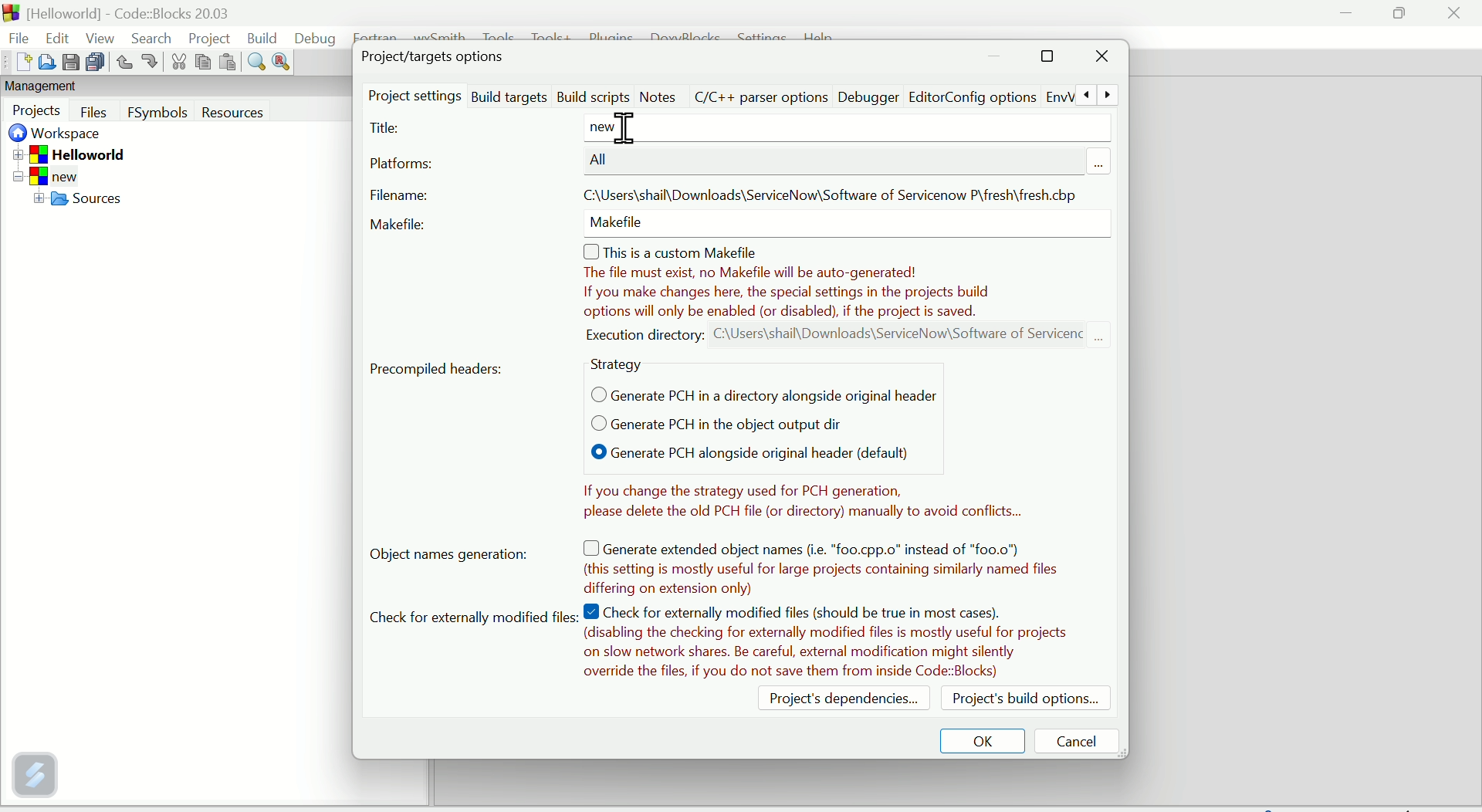 The image size is (1482, 812). Describe the element at coordinates (123, 62) in the screenshot. I see `` at that location.